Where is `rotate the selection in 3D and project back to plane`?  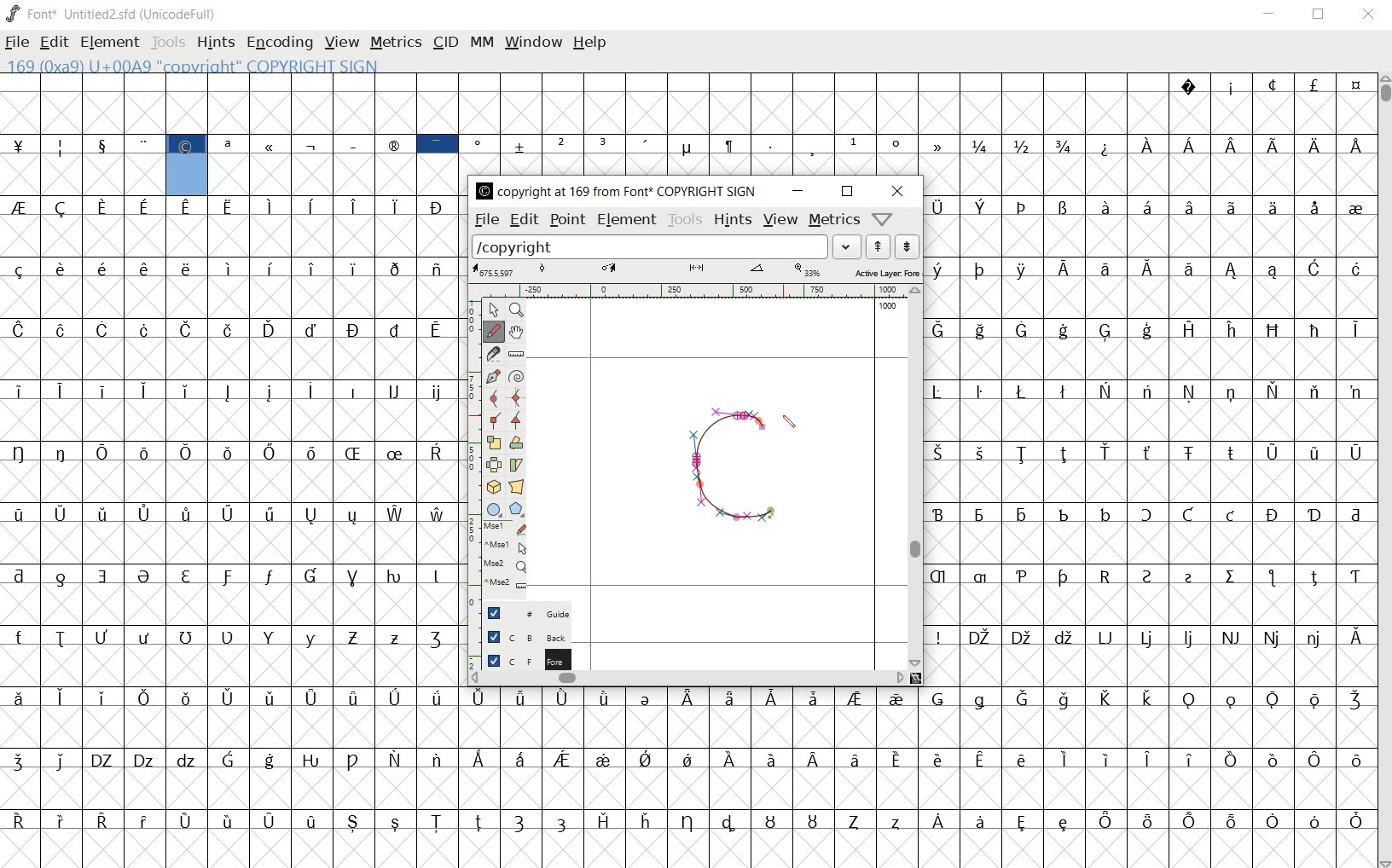 rotate the selection in 3D and project back to plane is located at coordinates (493, 486).